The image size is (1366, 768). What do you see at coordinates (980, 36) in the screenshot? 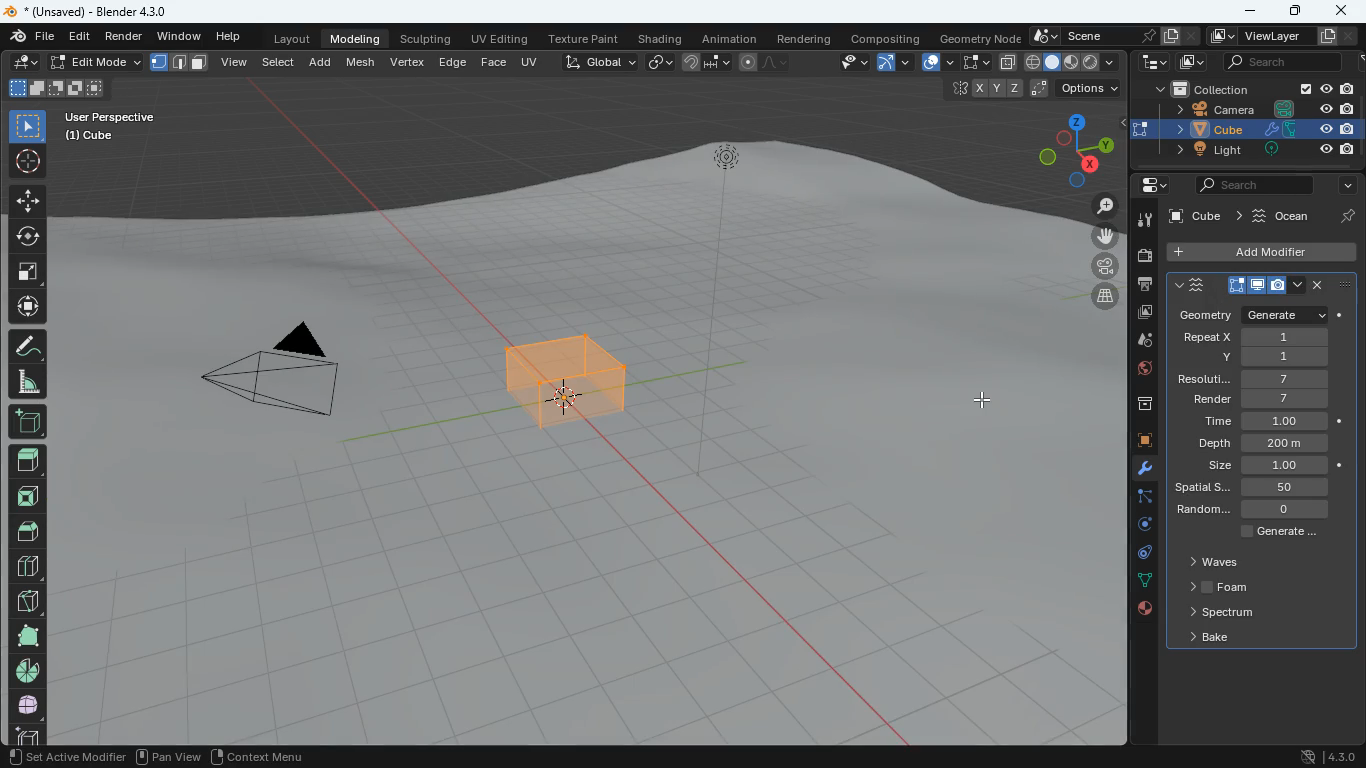
I see `geometry node` at bounding box center [980, 36].